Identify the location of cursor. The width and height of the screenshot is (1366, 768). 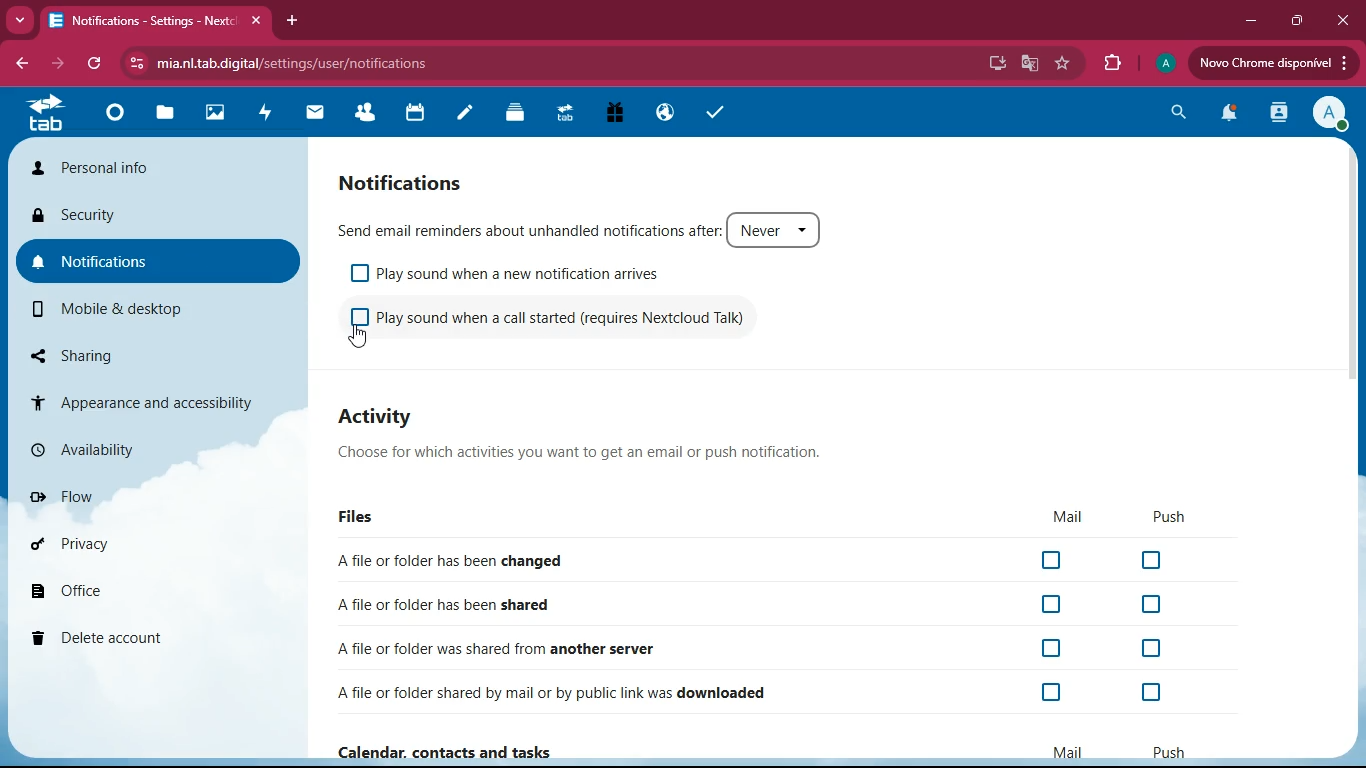
(357, 338).